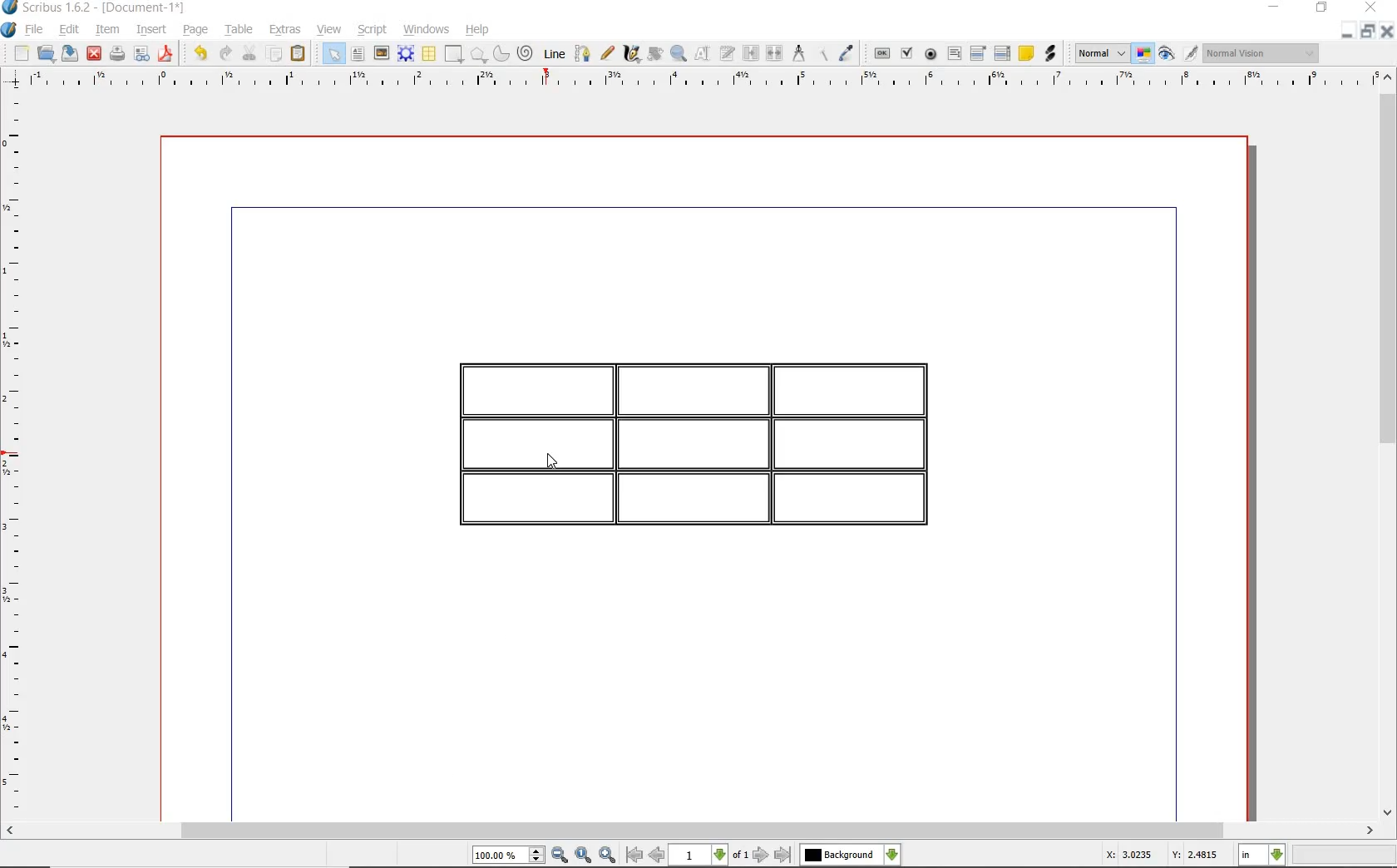 The image size is (1397, 868). Describe the element at coordinates (406, 55) in the screenshot. I see `render frame` at that location.